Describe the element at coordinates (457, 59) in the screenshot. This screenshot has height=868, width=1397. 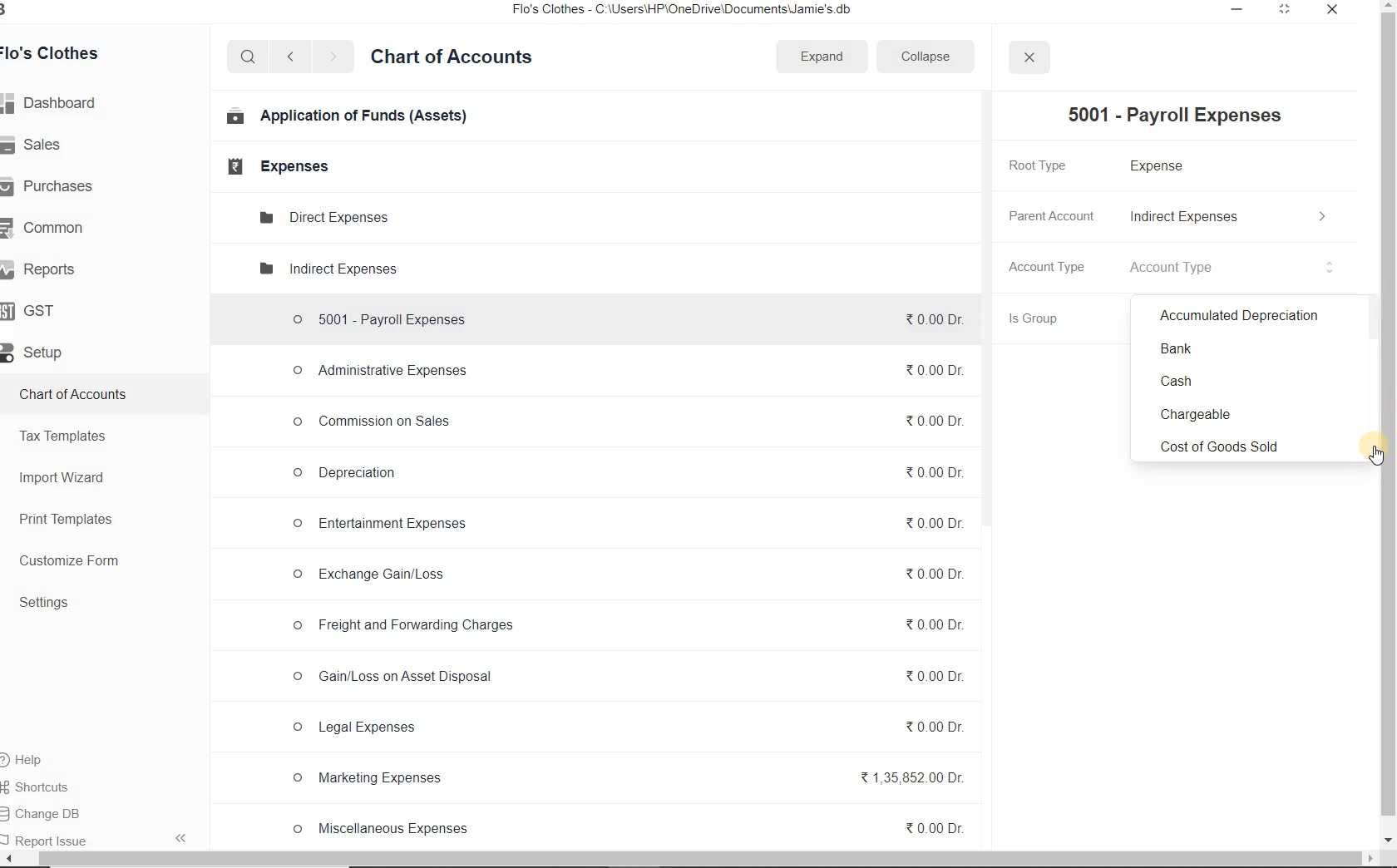
I see `Chart of Accounts` at that location.